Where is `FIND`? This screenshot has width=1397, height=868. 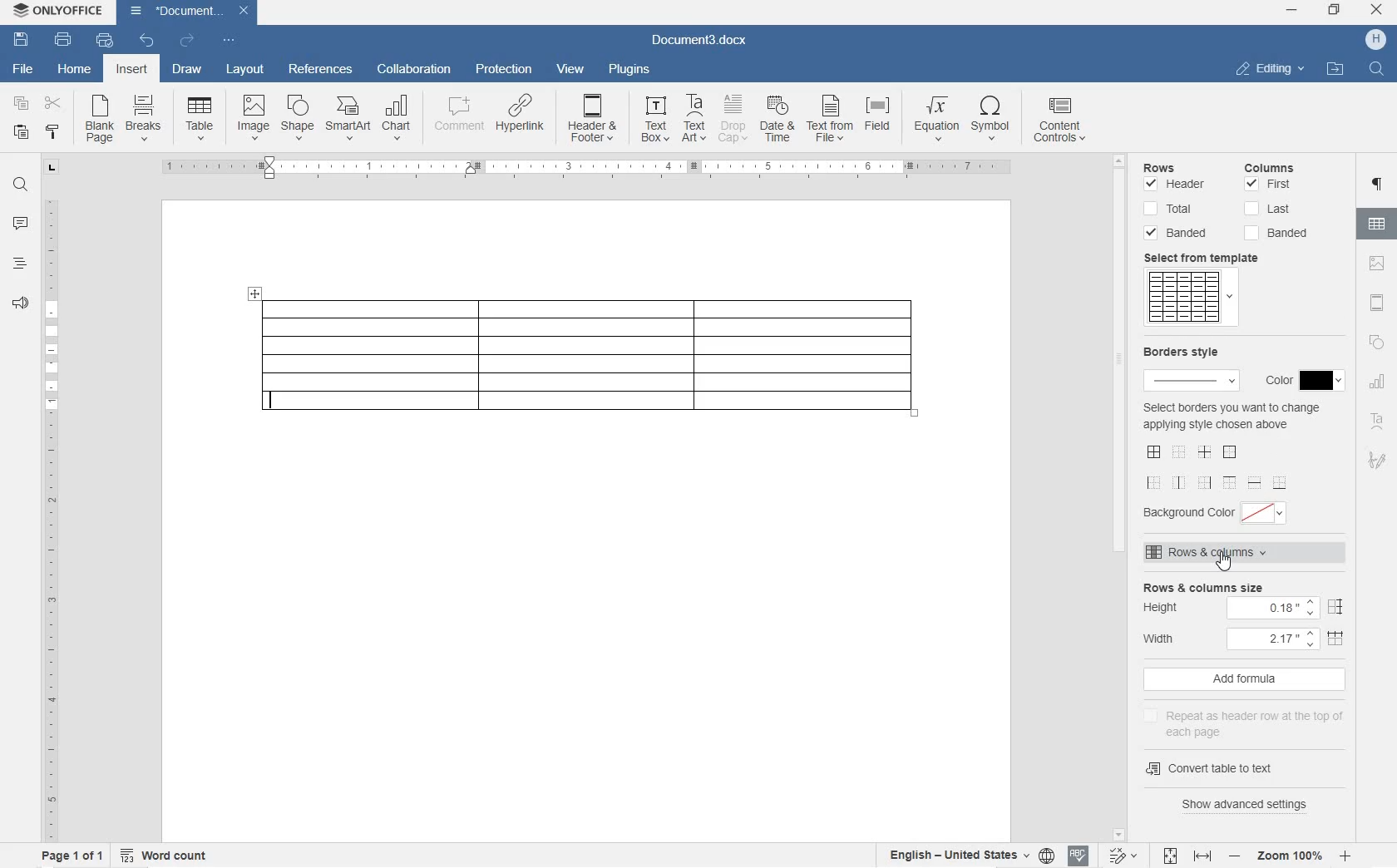
FIND is located at coordinates (20, 187).